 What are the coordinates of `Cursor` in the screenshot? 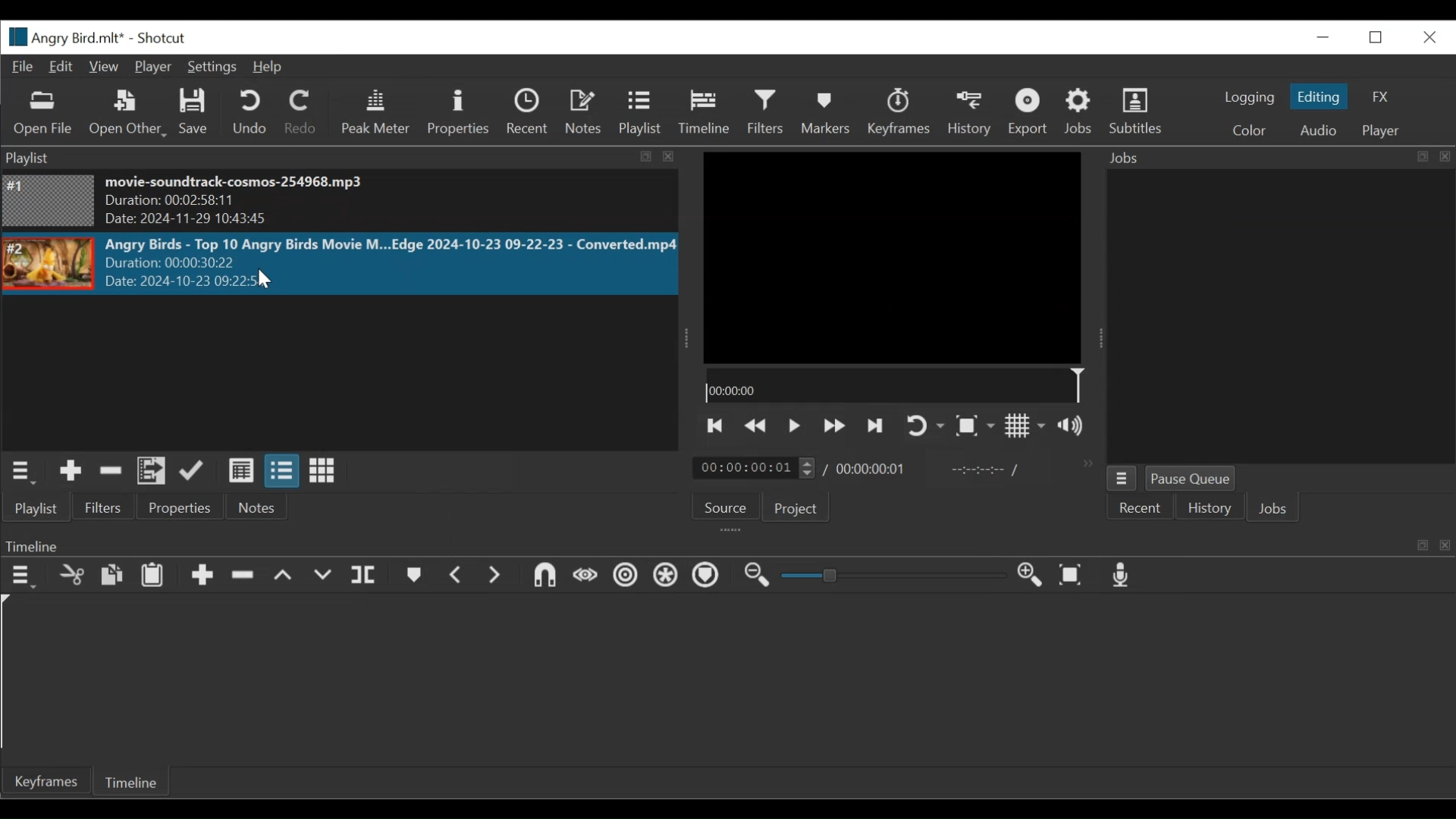 It's located at (267, 281).